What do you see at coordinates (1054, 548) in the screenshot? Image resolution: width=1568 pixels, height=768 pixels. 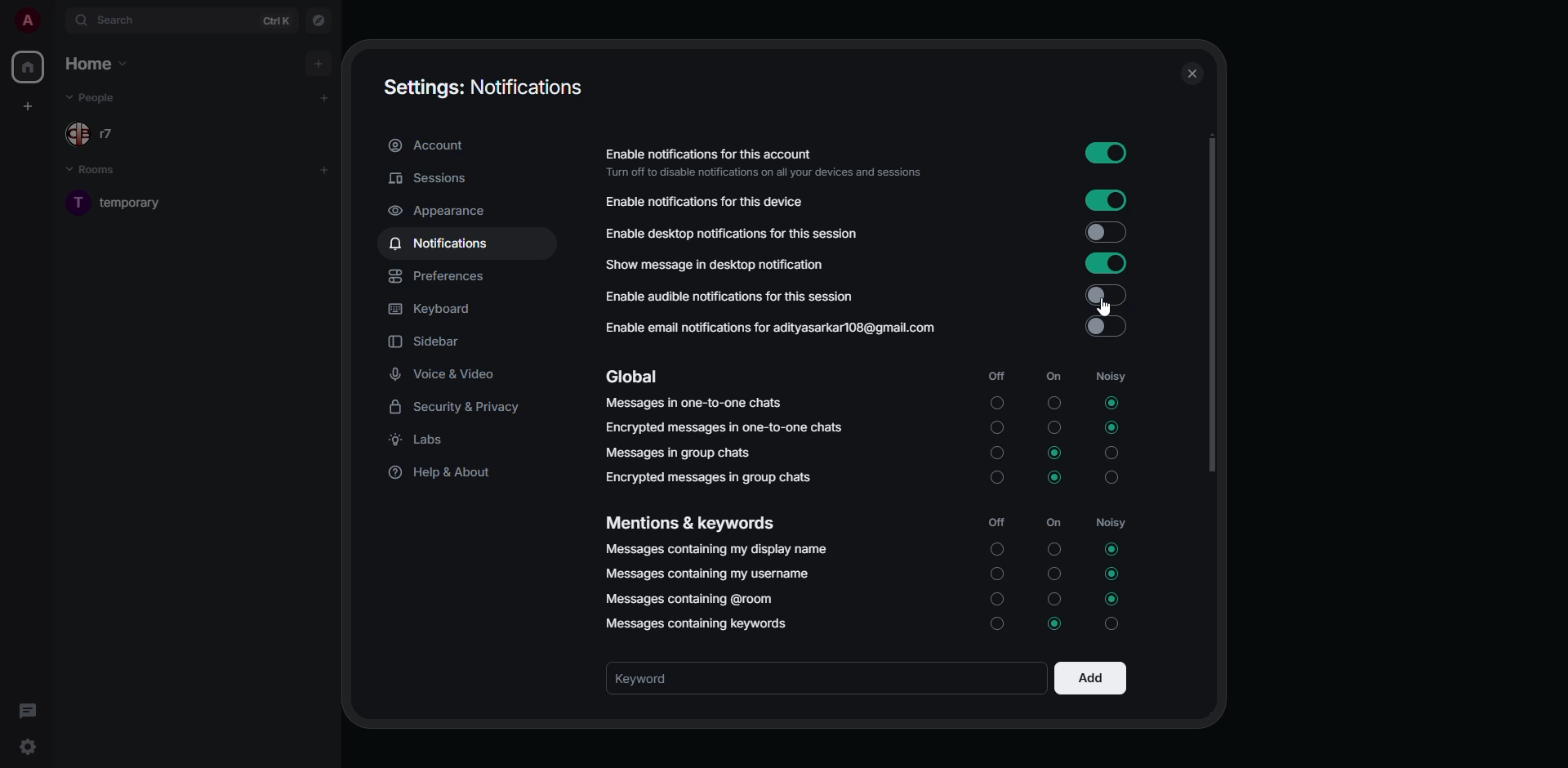 I see `On Unselected` at bounding box center [1054, 548].